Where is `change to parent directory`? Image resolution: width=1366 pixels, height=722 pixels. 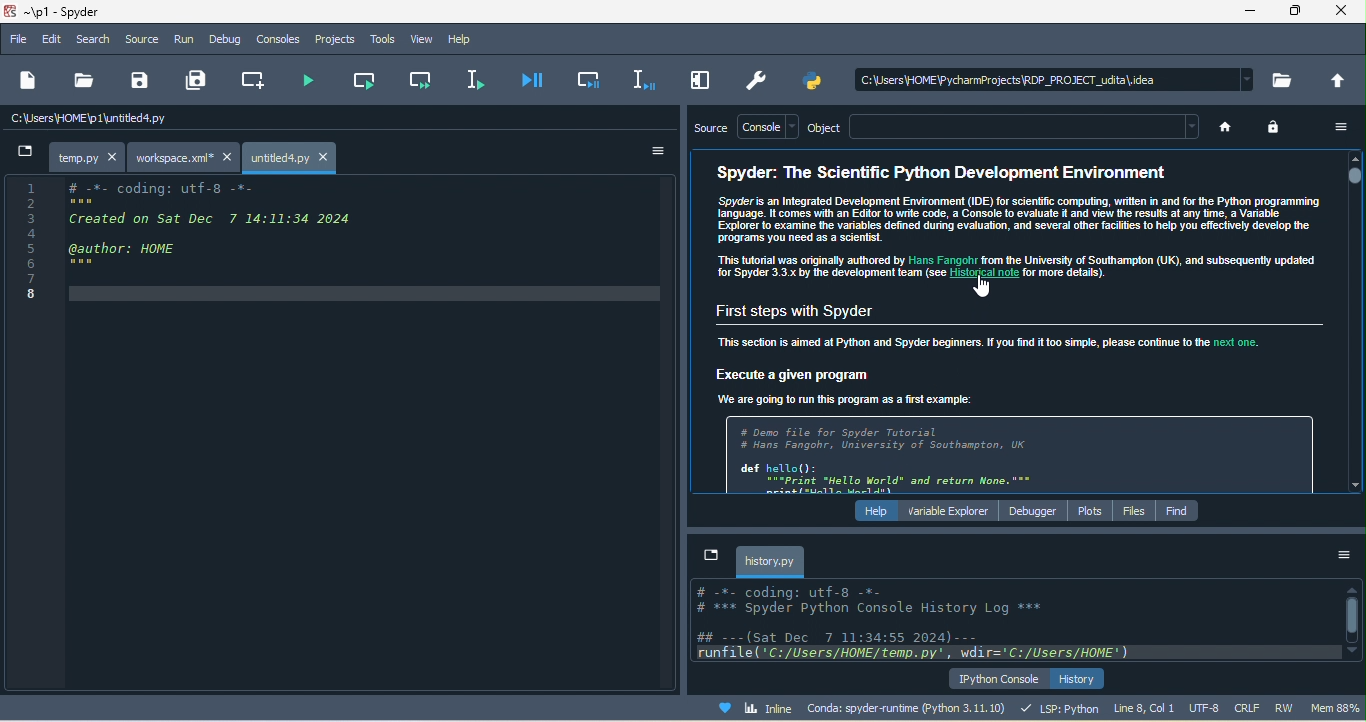 change to parent directory is located at coordinates (1334, 81).